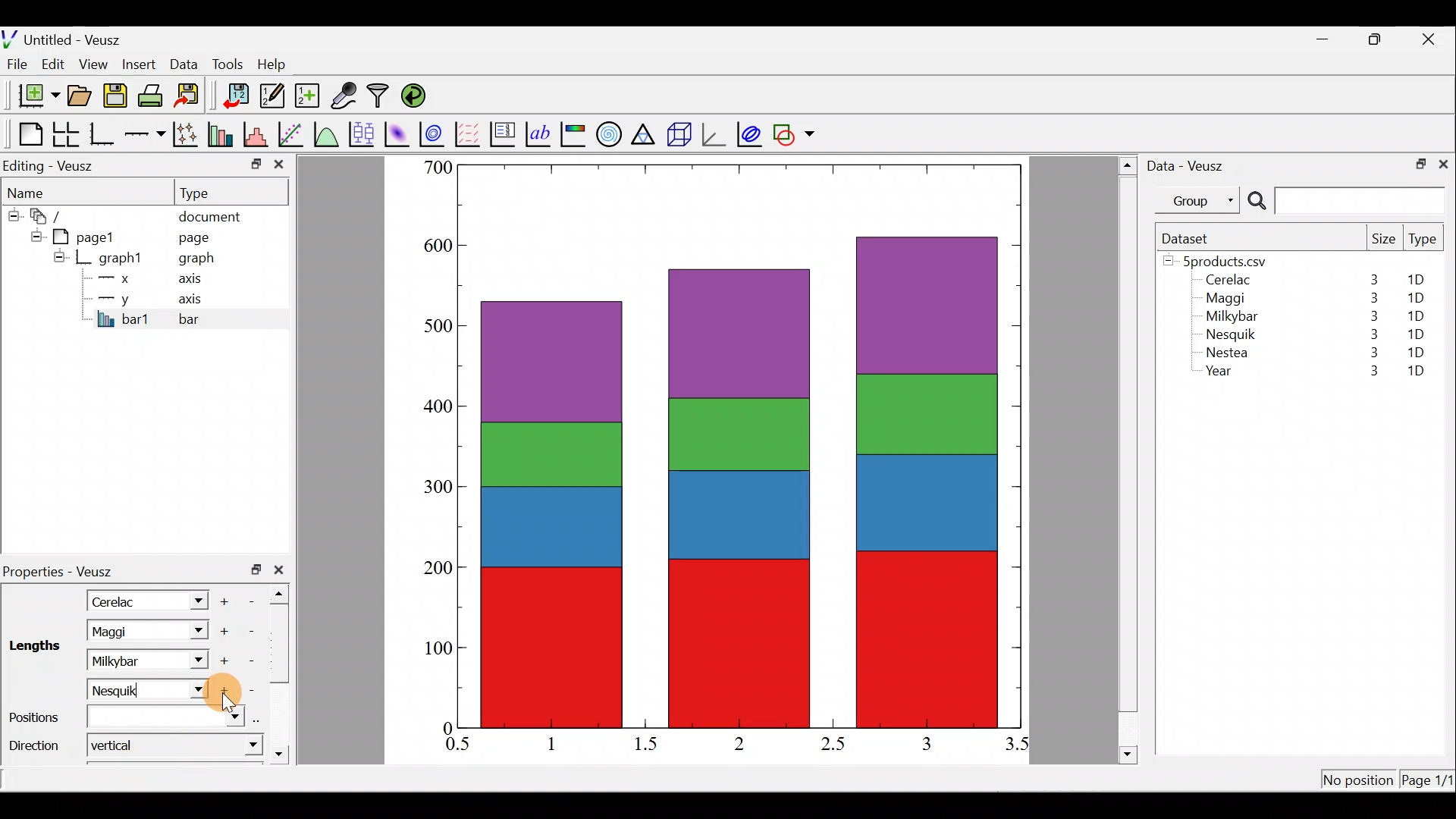 The width and height of the screenshot is (1456, 819). I want to click on Group, so click(1200, 199).